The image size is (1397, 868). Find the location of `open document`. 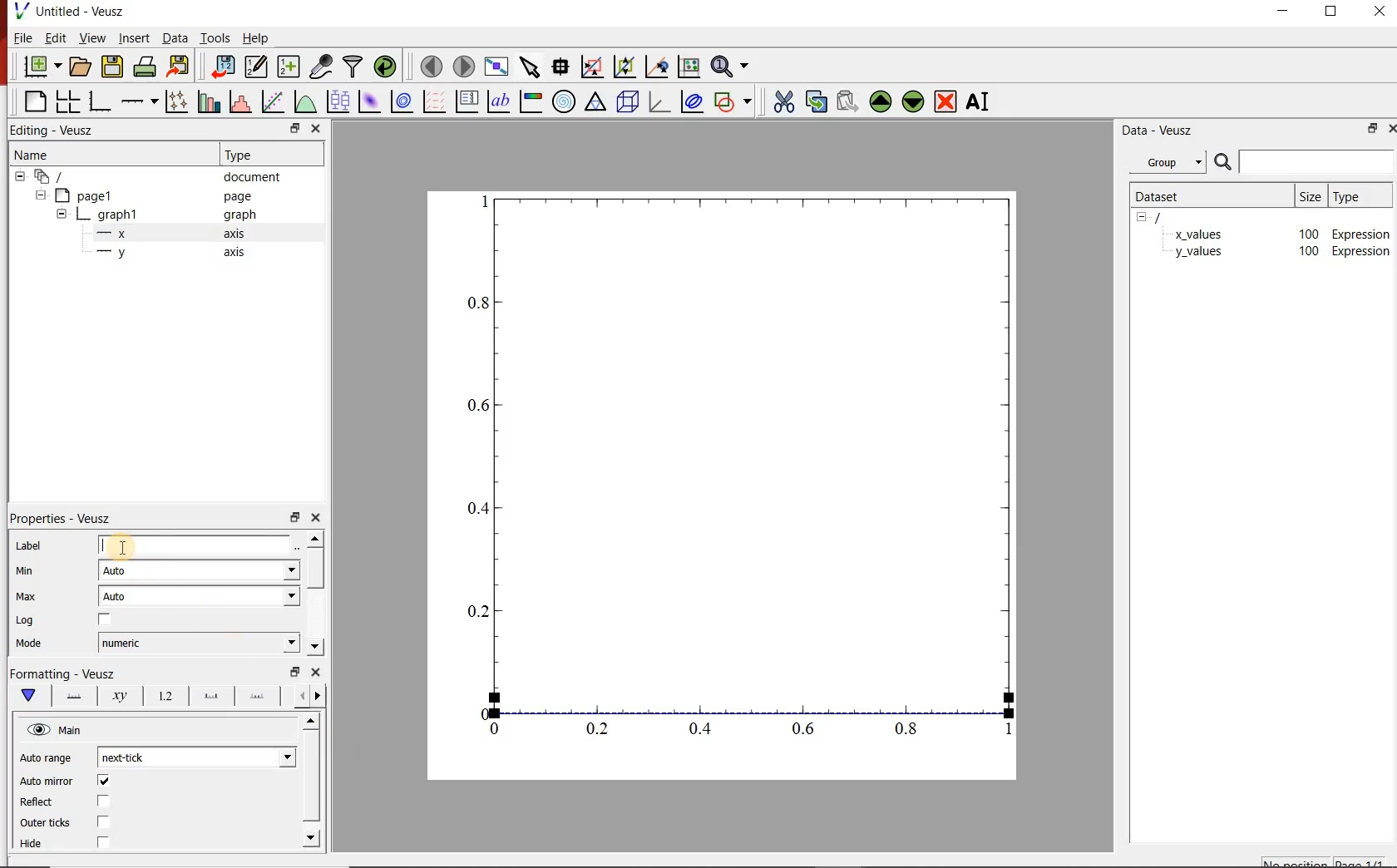

open document is located at coordinates (81, 66).